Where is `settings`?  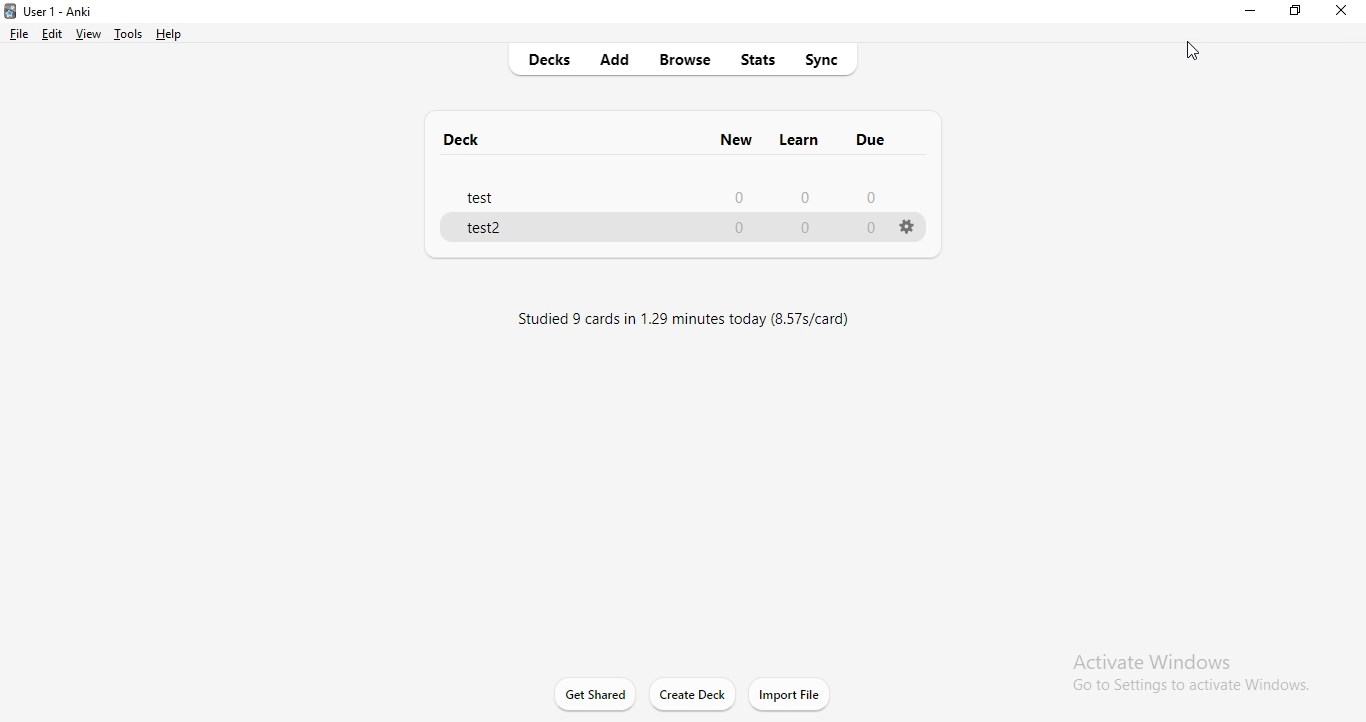 settings is located at coordinates (910, 228).